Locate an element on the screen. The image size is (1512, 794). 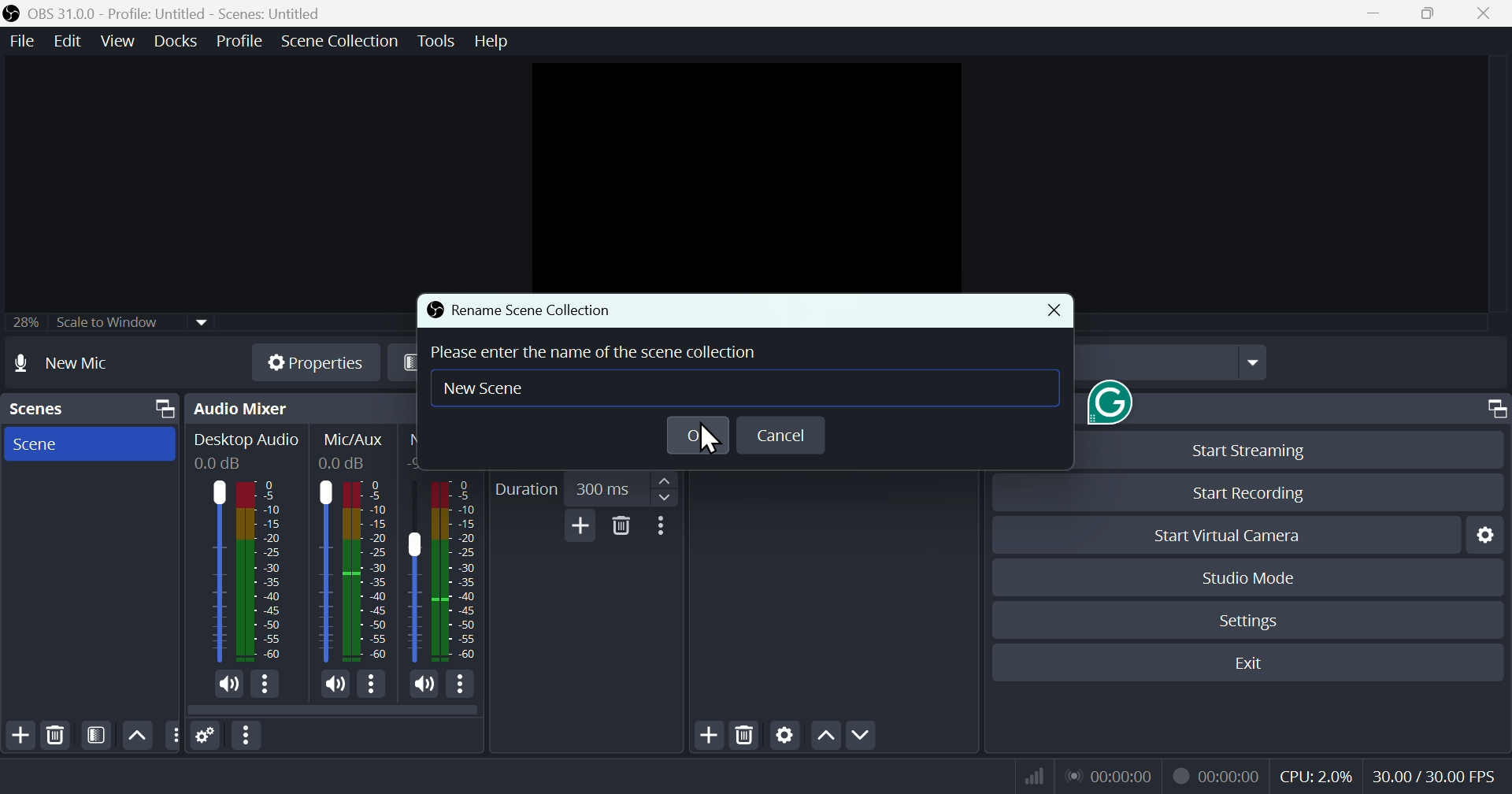
Delete is located at coordinates (621, 529).